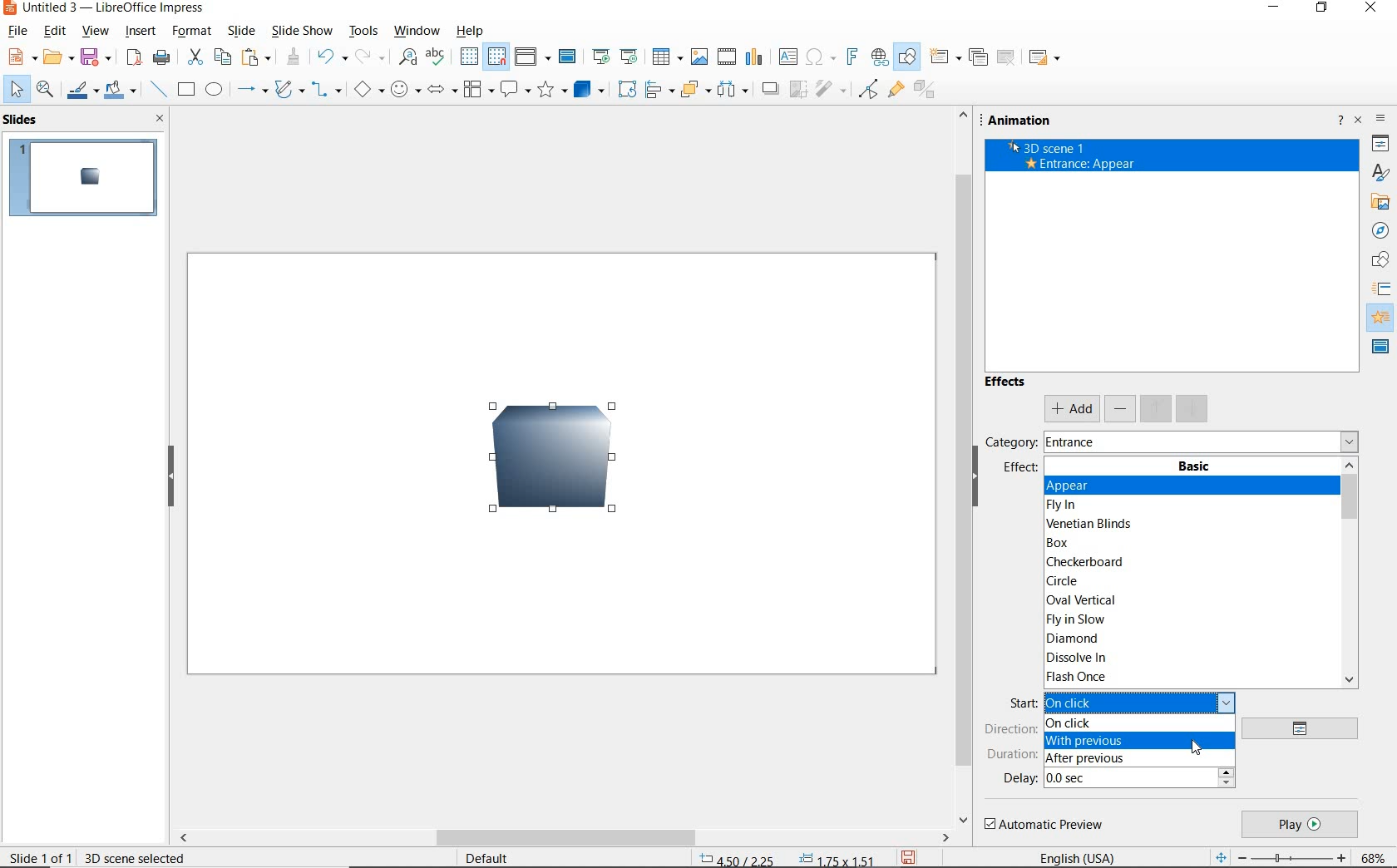 This screenshot has width=1397, height=868. I want to click on clone formatting, so click(295, 57).